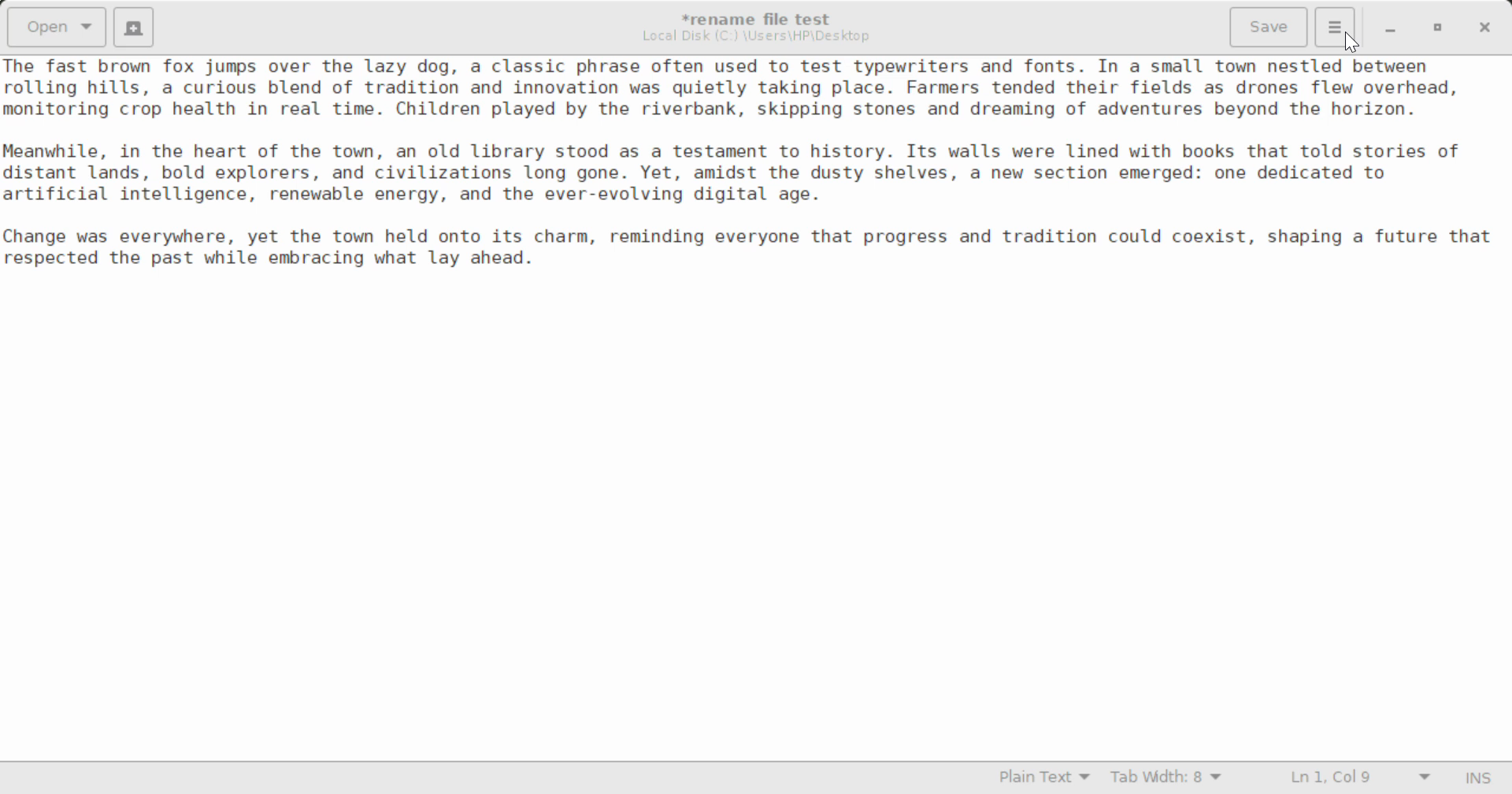  What do you see at coordinates (1482, 776) in the screenshot?
I see `Input Mode` at bounding box center [1482, 776].